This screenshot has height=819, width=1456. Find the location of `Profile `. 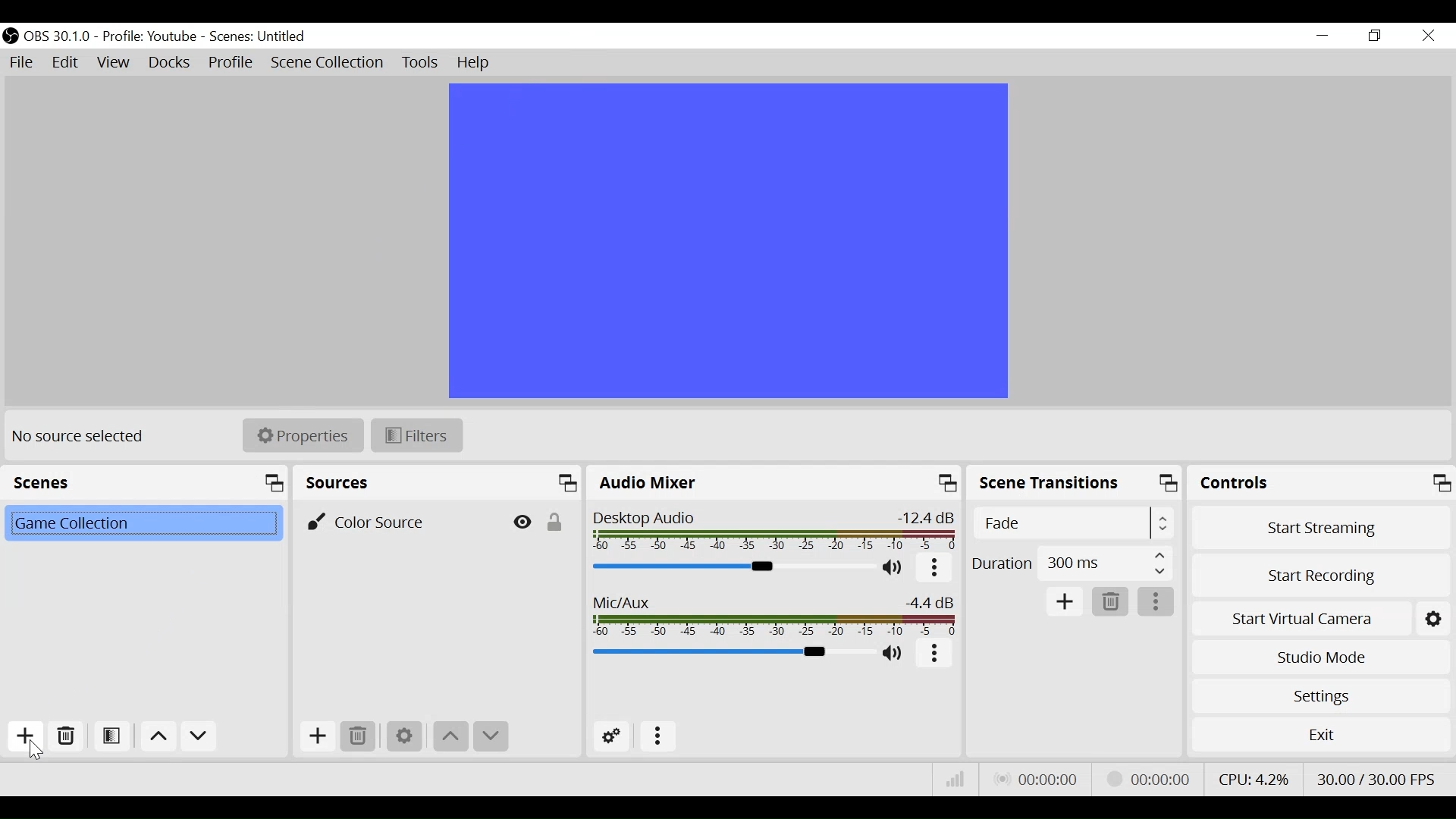

Profile  is located at coordinates (152, 36).